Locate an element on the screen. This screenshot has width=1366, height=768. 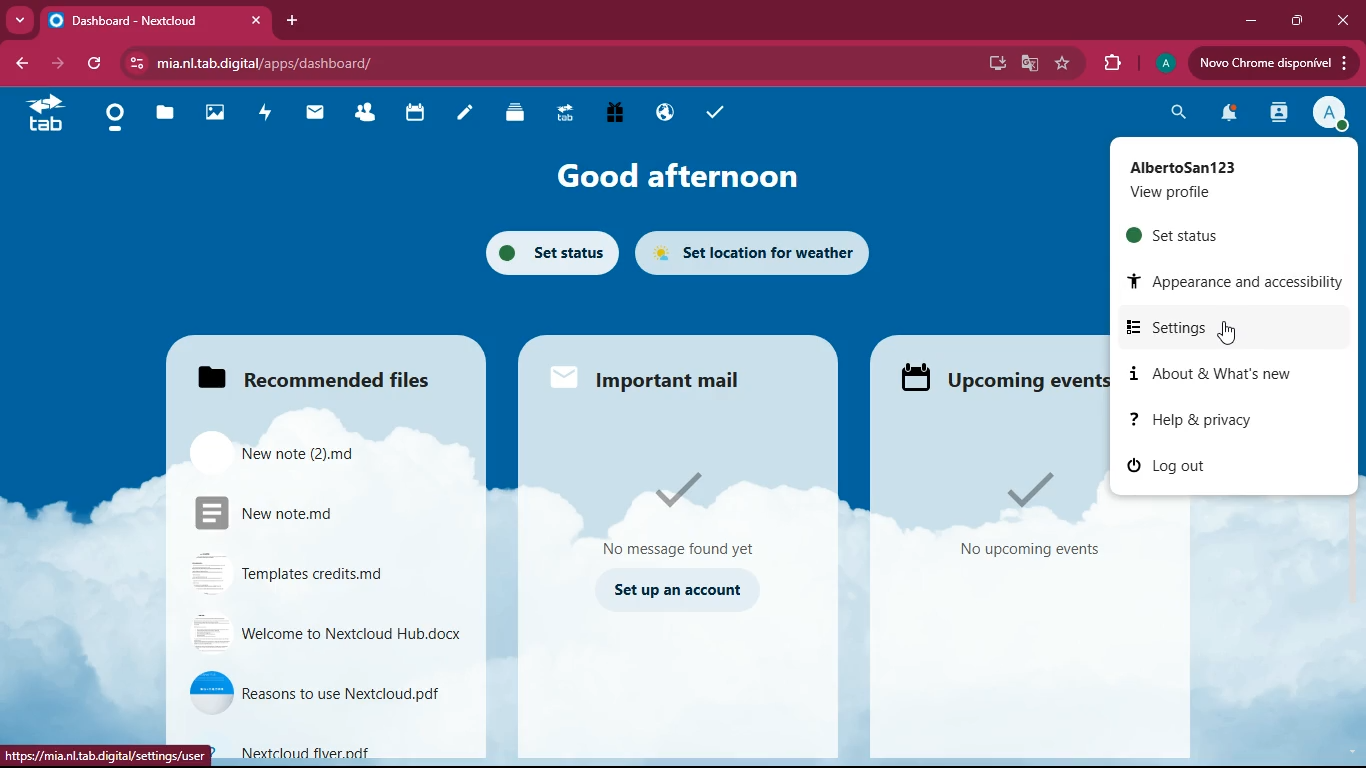
calendar is located at coordinates (411, 114).